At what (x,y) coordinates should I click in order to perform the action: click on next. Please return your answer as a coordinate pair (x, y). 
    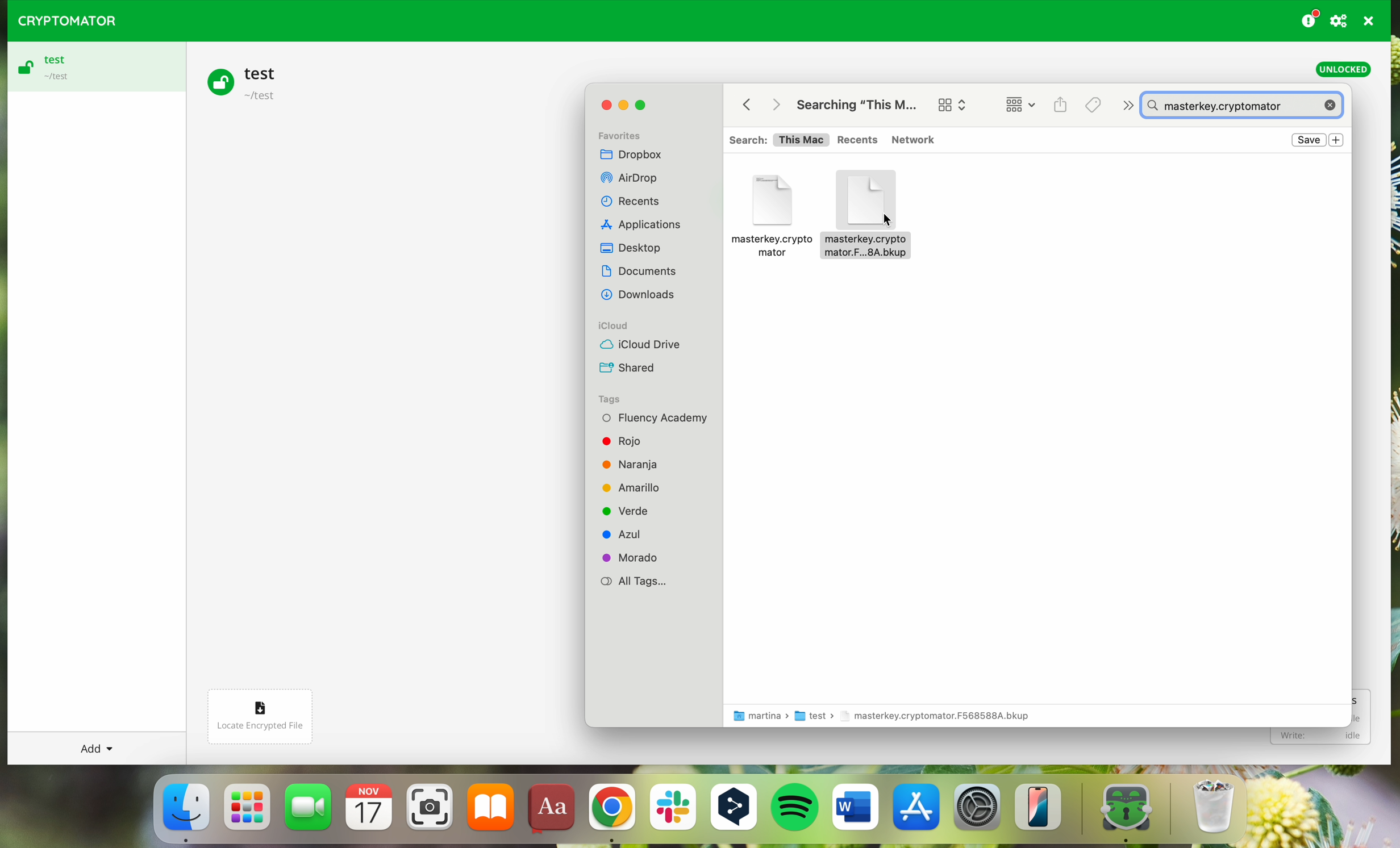
    Looking at the image, I should click on (1126, 106).